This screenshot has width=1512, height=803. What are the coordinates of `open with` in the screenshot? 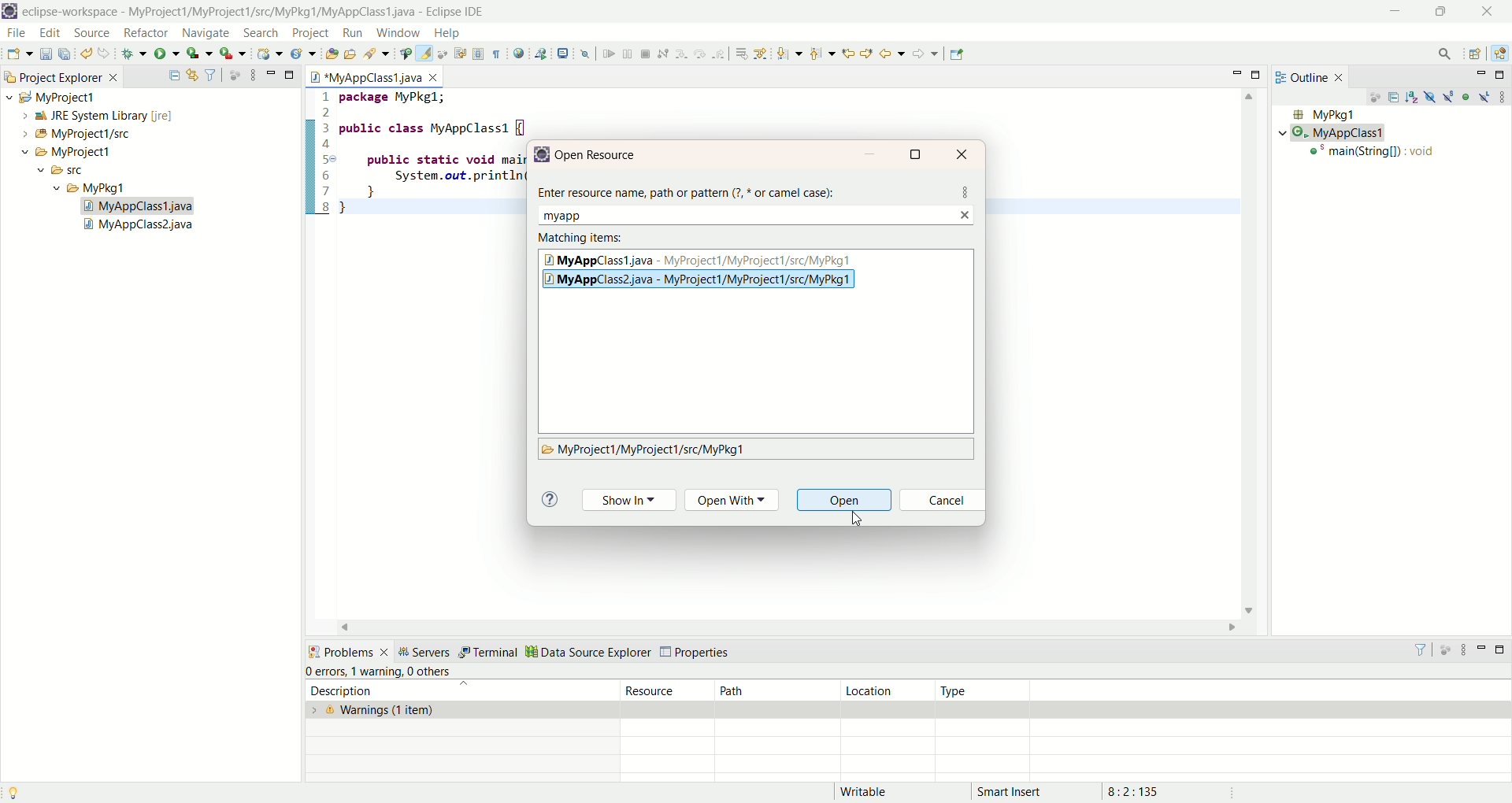 It's located at (736, 501).